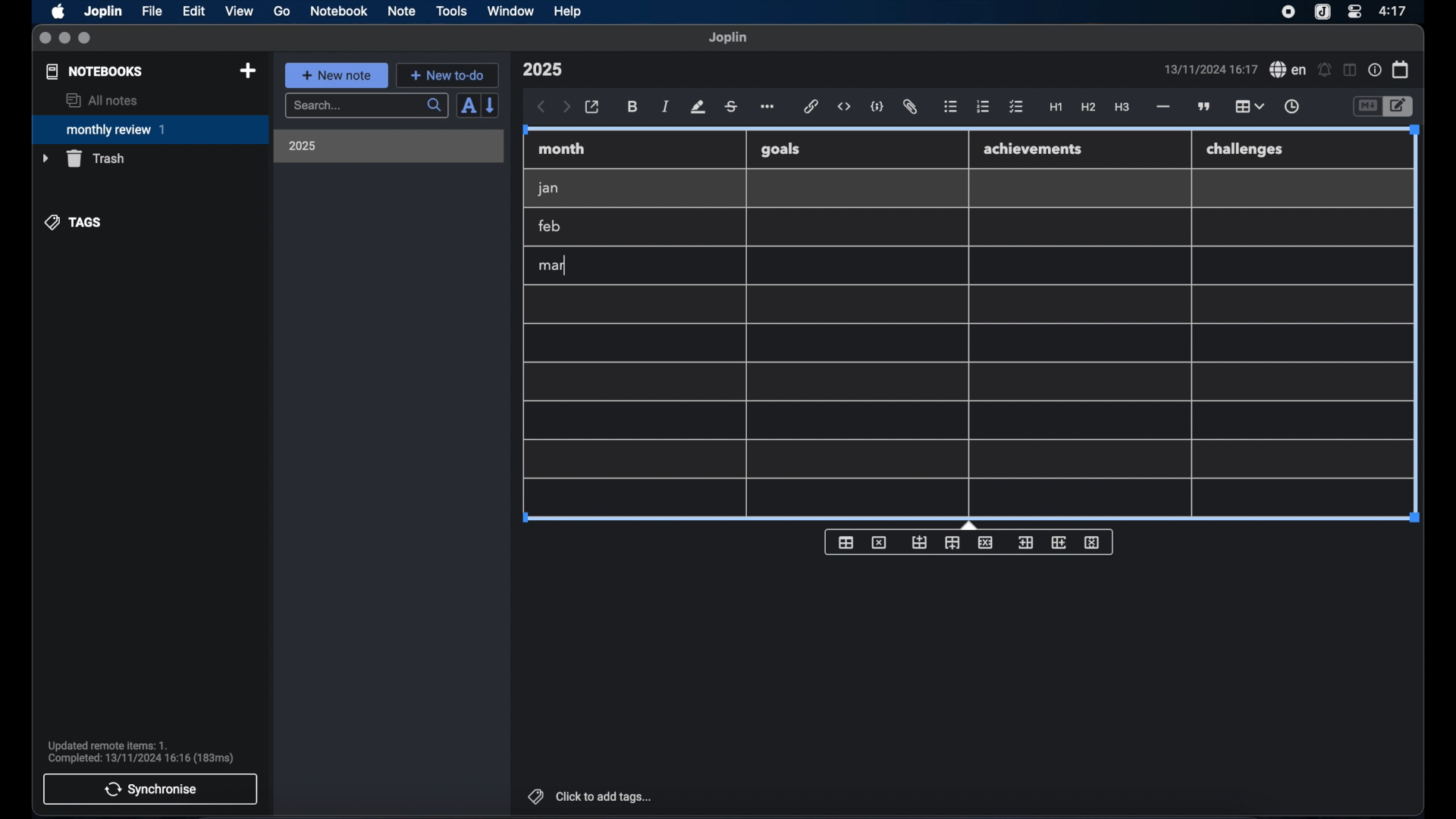 Image resolution: width=1456 pixels, height=819 pixels. Describe the element at coordinates (1056, 108) in the screenshot. I see `heading 1` at that location.